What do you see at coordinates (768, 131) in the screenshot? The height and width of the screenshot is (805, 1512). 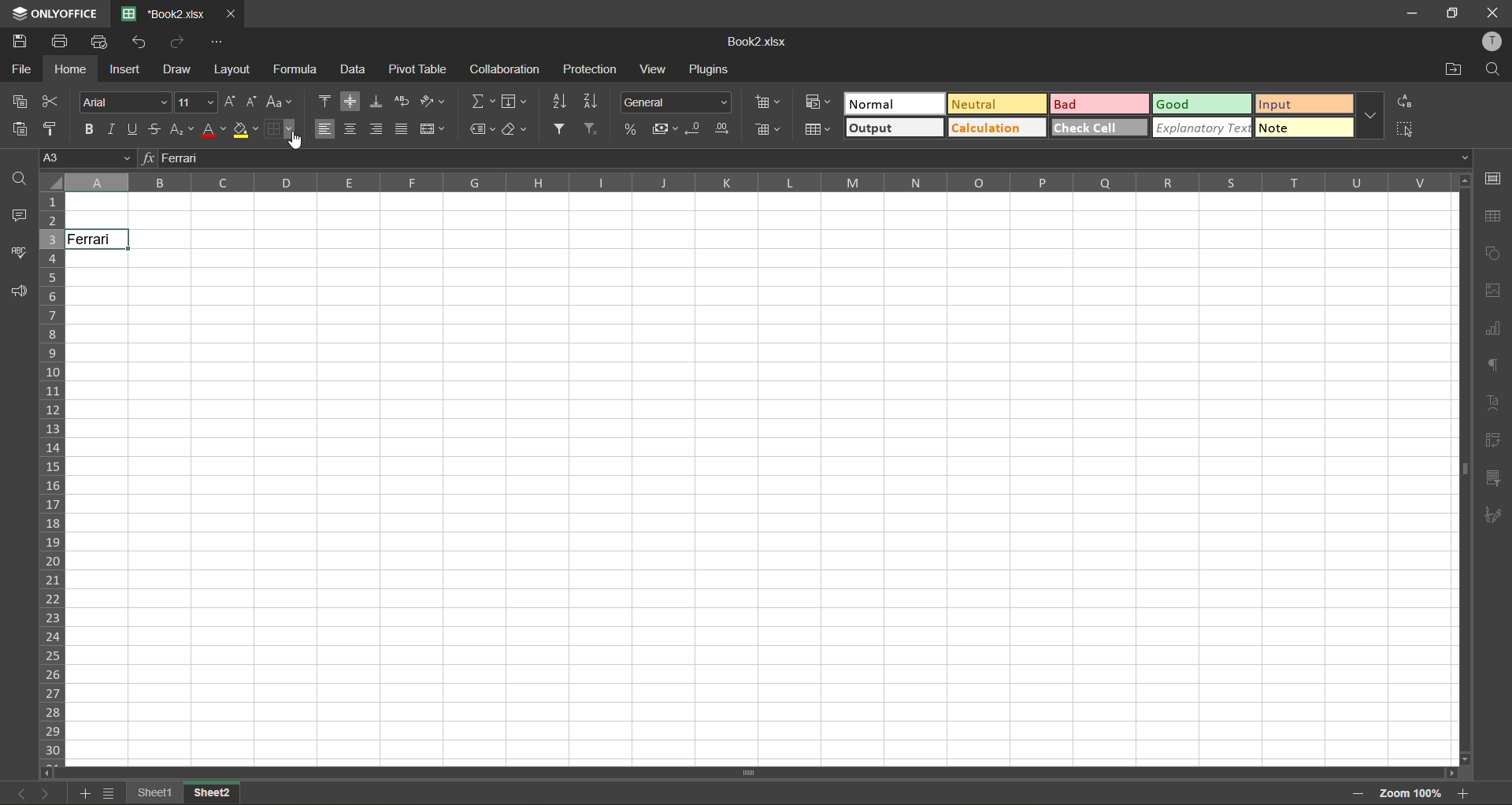 I see `delete cells` at bounding box center [768, 131].